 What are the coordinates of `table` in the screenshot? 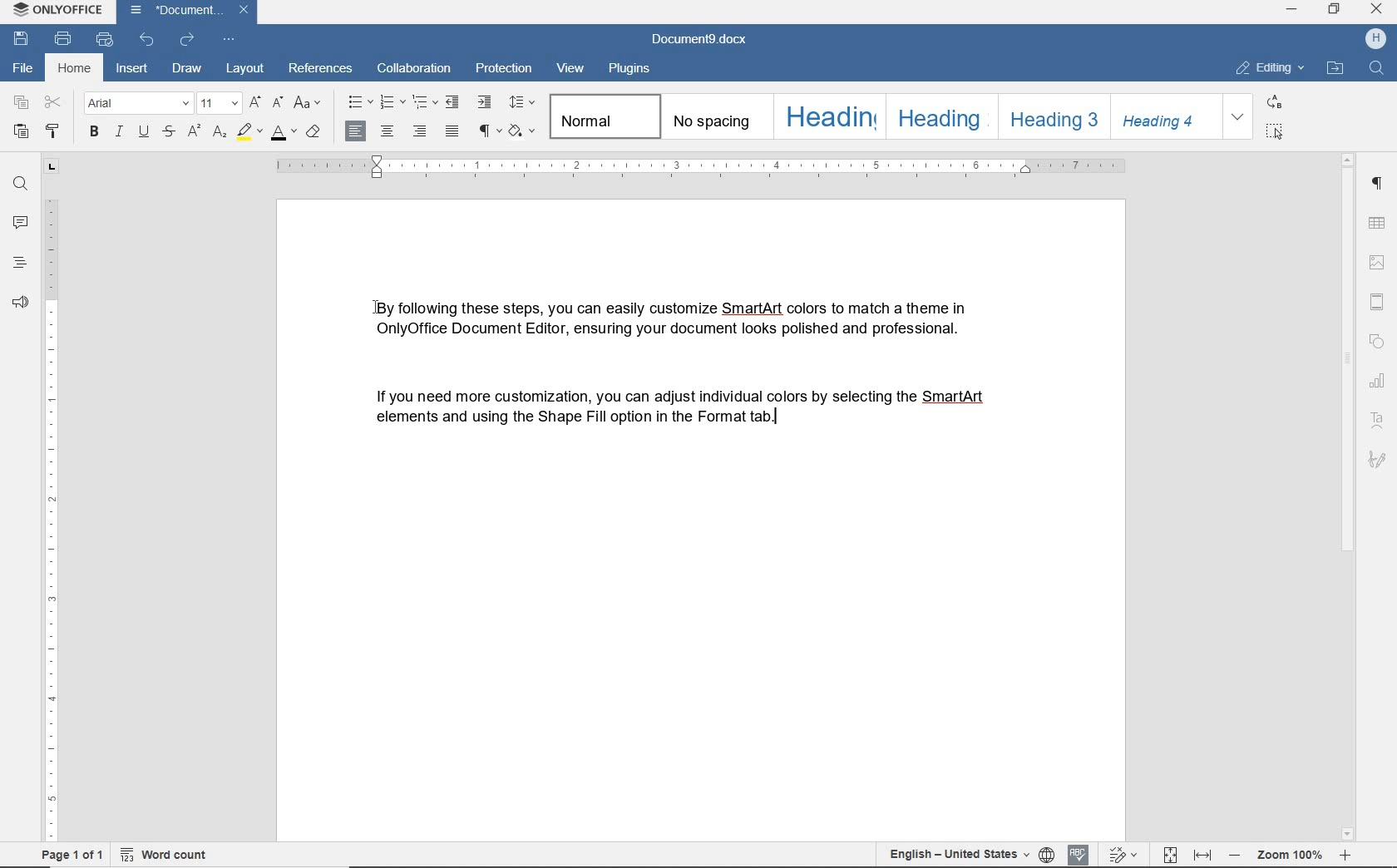 It's located at (1380, 224).